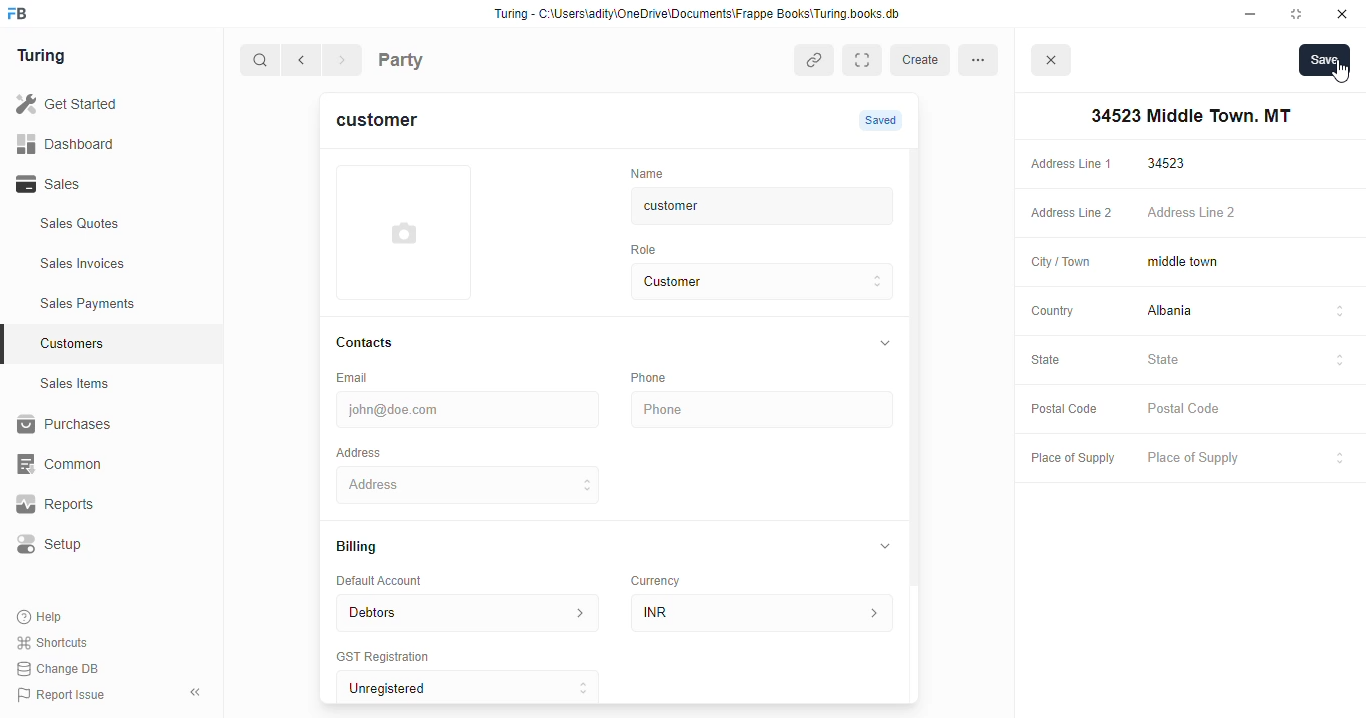 The width and height of the screenshot is (1366, 718). What do you see at coordinates (1068, 459) in the screenshot?
I see `Place of Supply` at bounding box center [1068, 459].